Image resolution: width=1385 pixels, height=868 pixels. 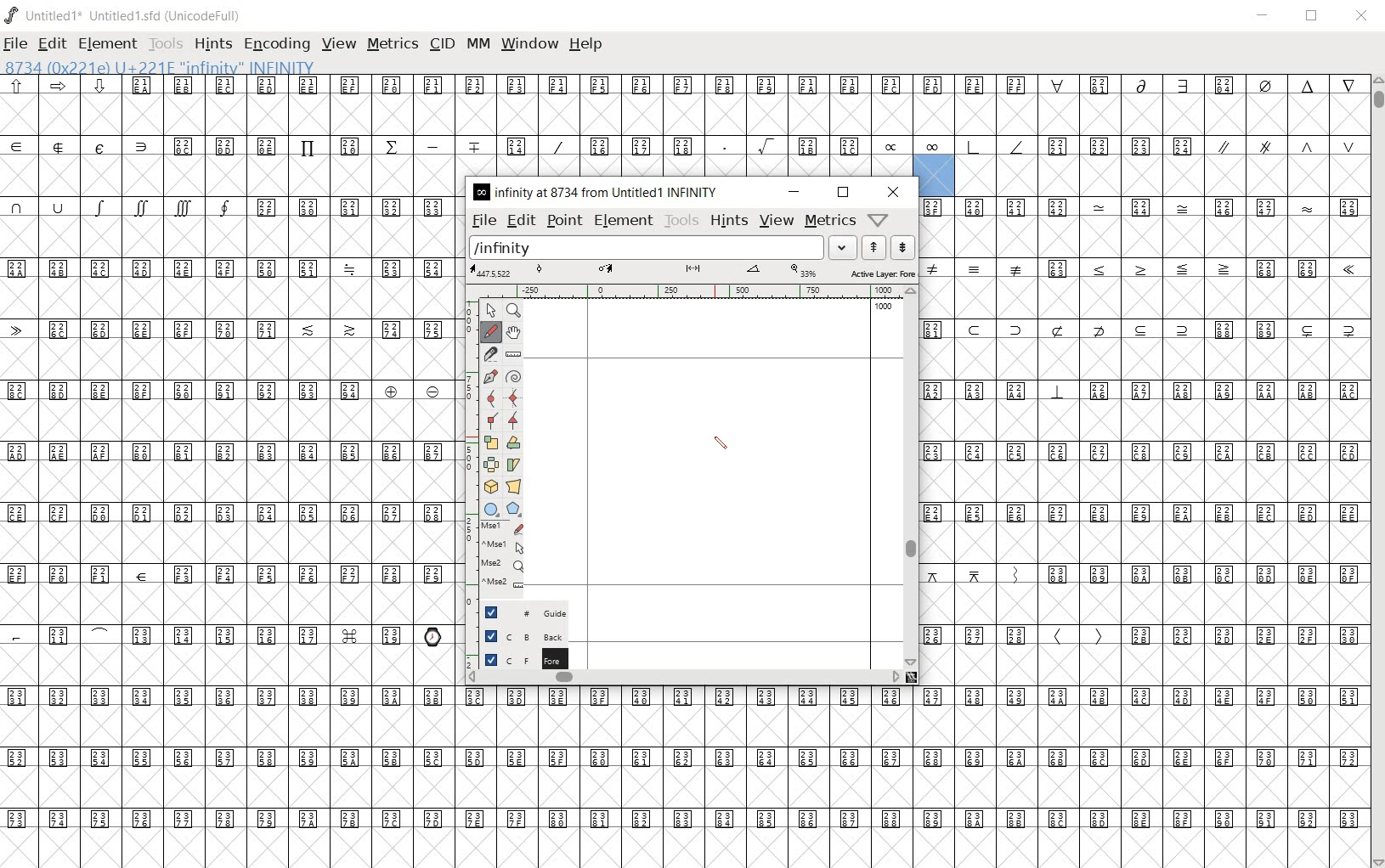 What do you see at coordinates (1314, 18) in the screenshot?
I see `restore down` at bounding box center [1314, 18].